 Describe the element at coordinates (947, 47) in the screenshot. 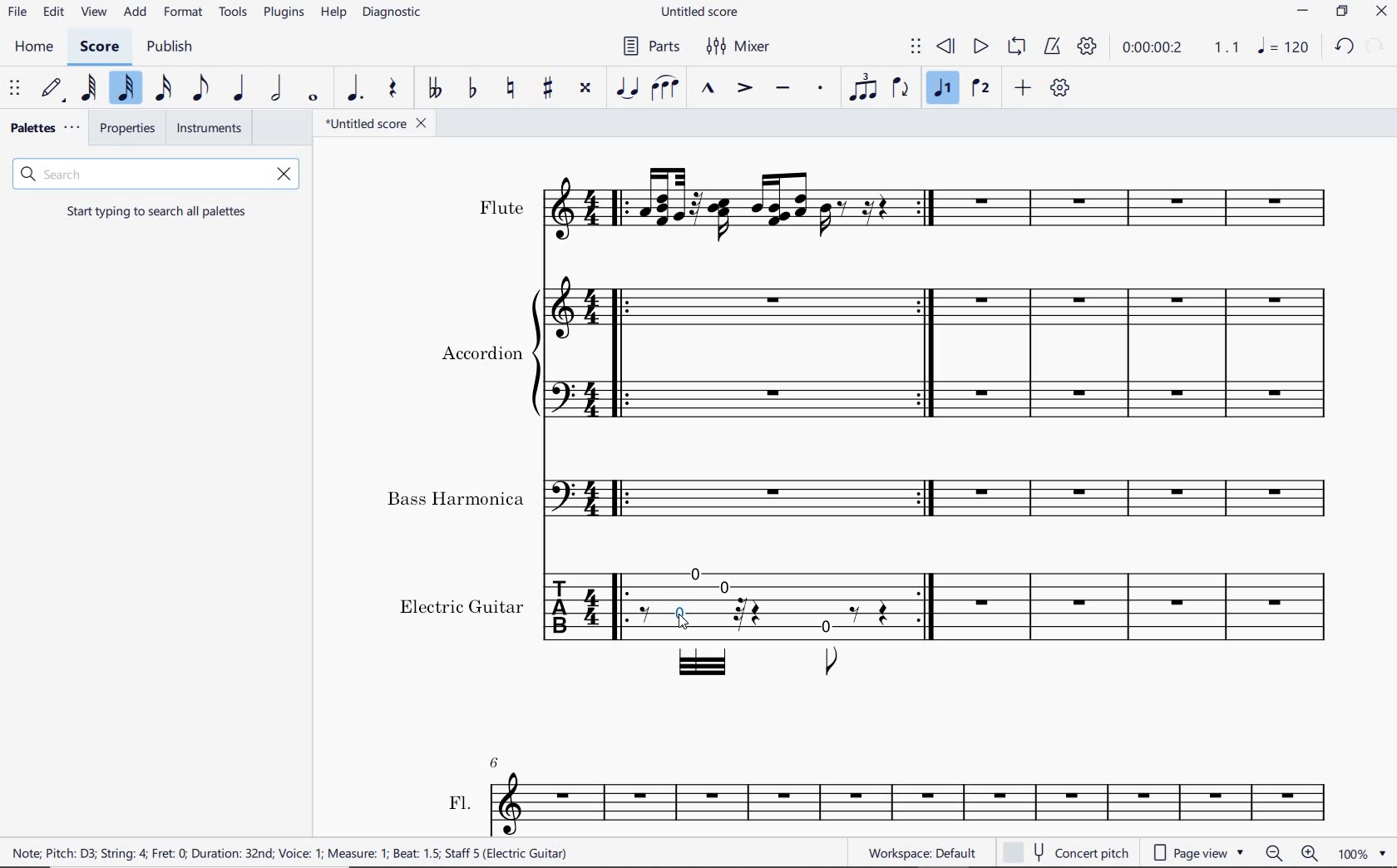

I see `rewind` at that location.